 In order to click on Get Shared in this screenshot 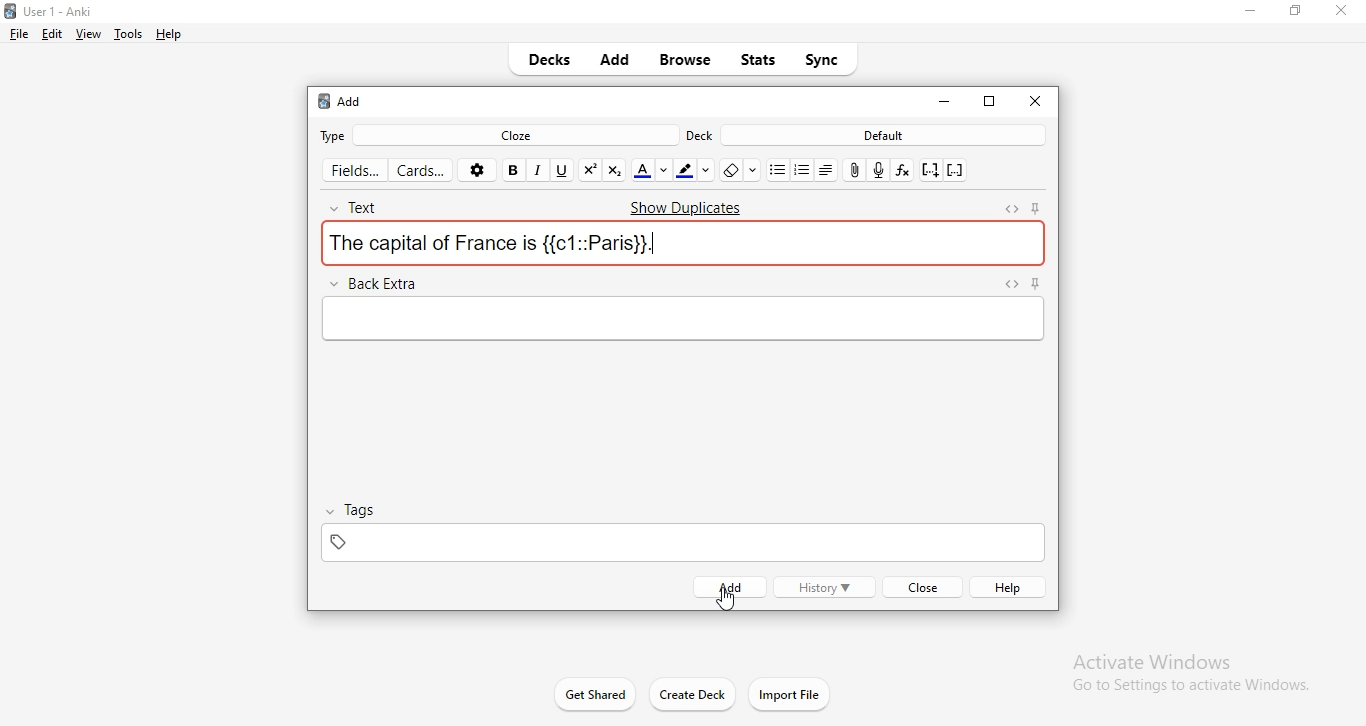, I will do `click(583, 692)`.